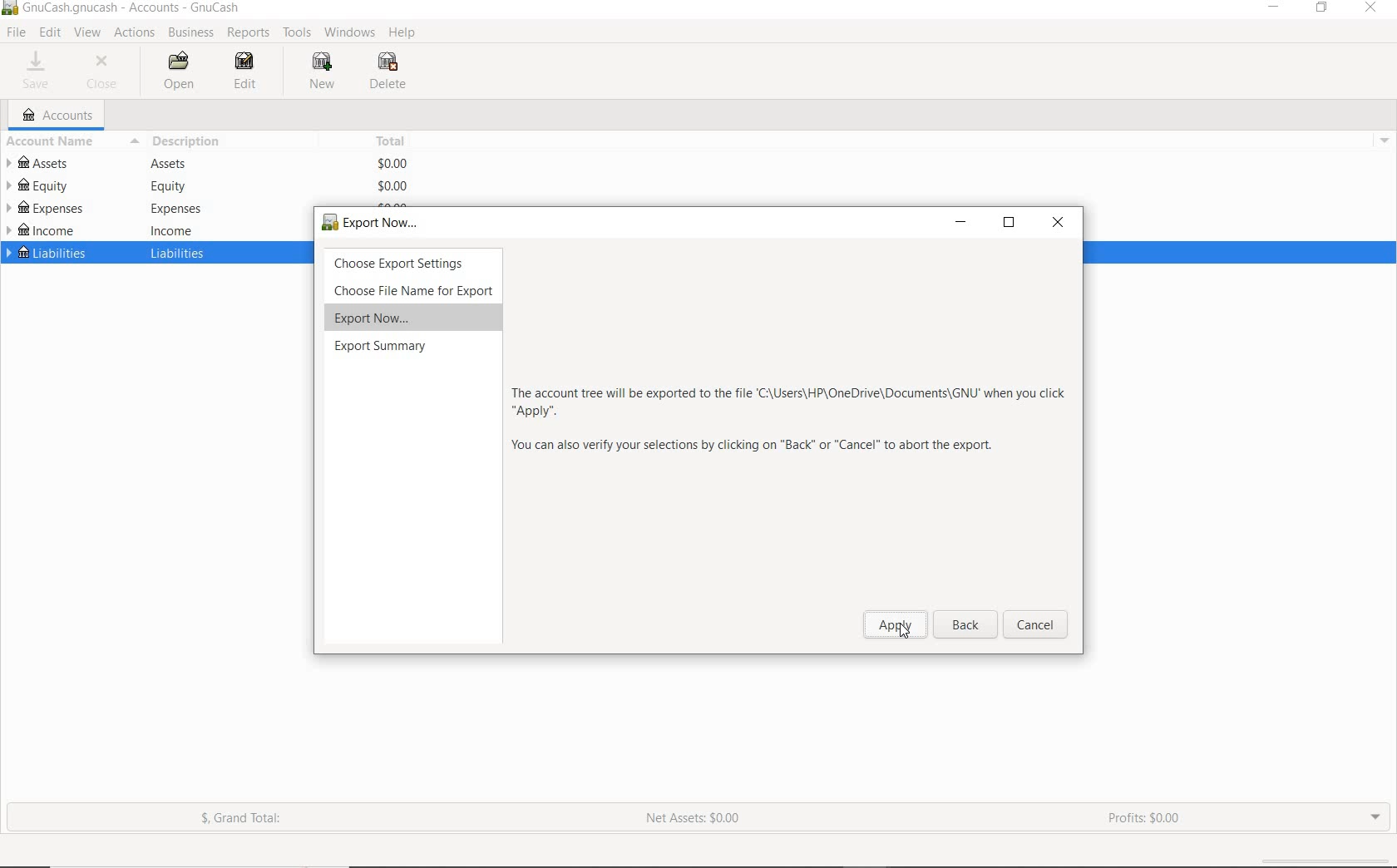 Image resolution: width=1397 pixels, height=868 pixels. I want to click on TOOLS, so click(298, 33).